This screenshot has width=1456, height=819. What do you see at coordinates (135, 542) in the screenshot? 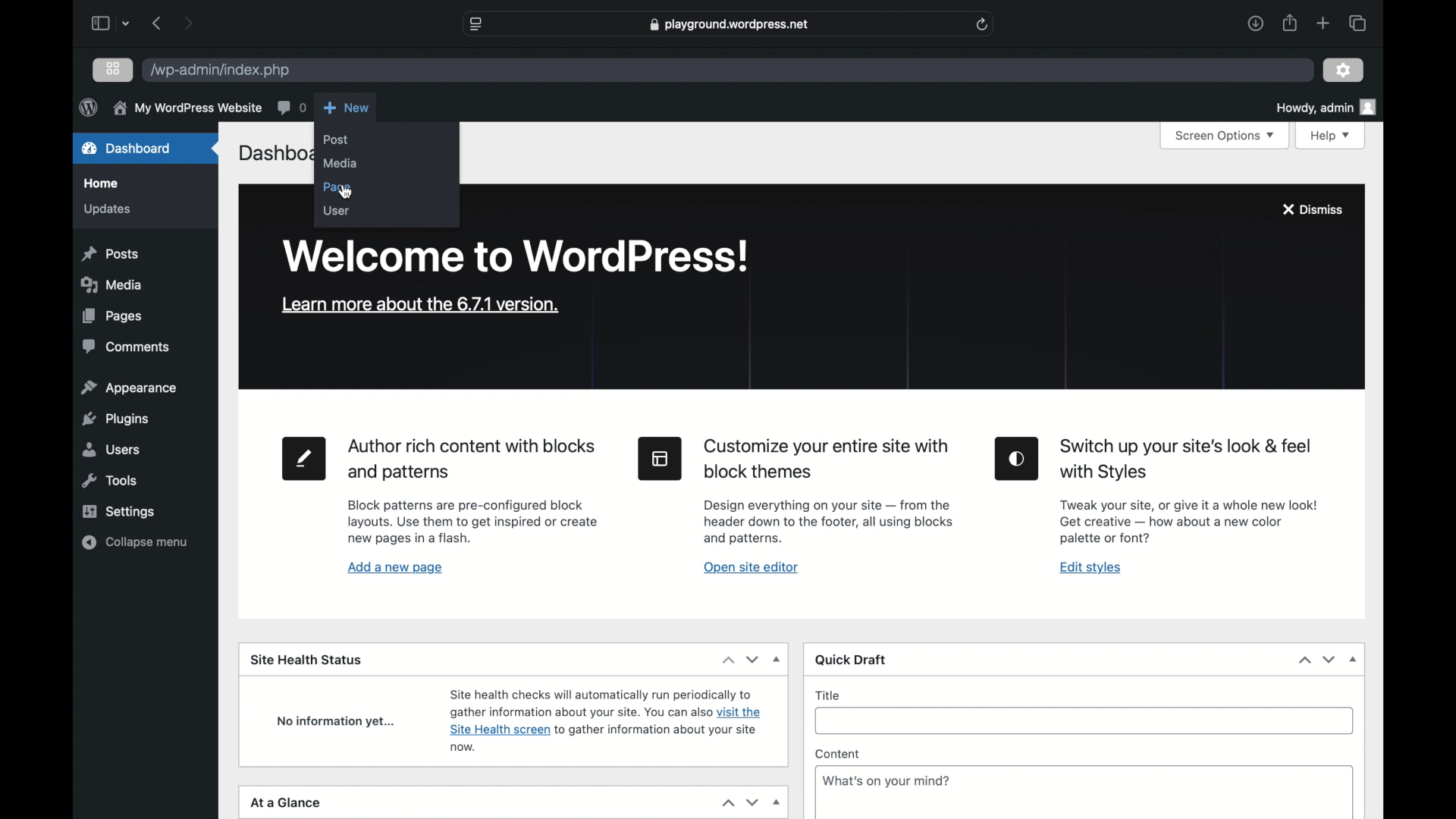
I see `collapse menu` at bounding box center [135, 542].